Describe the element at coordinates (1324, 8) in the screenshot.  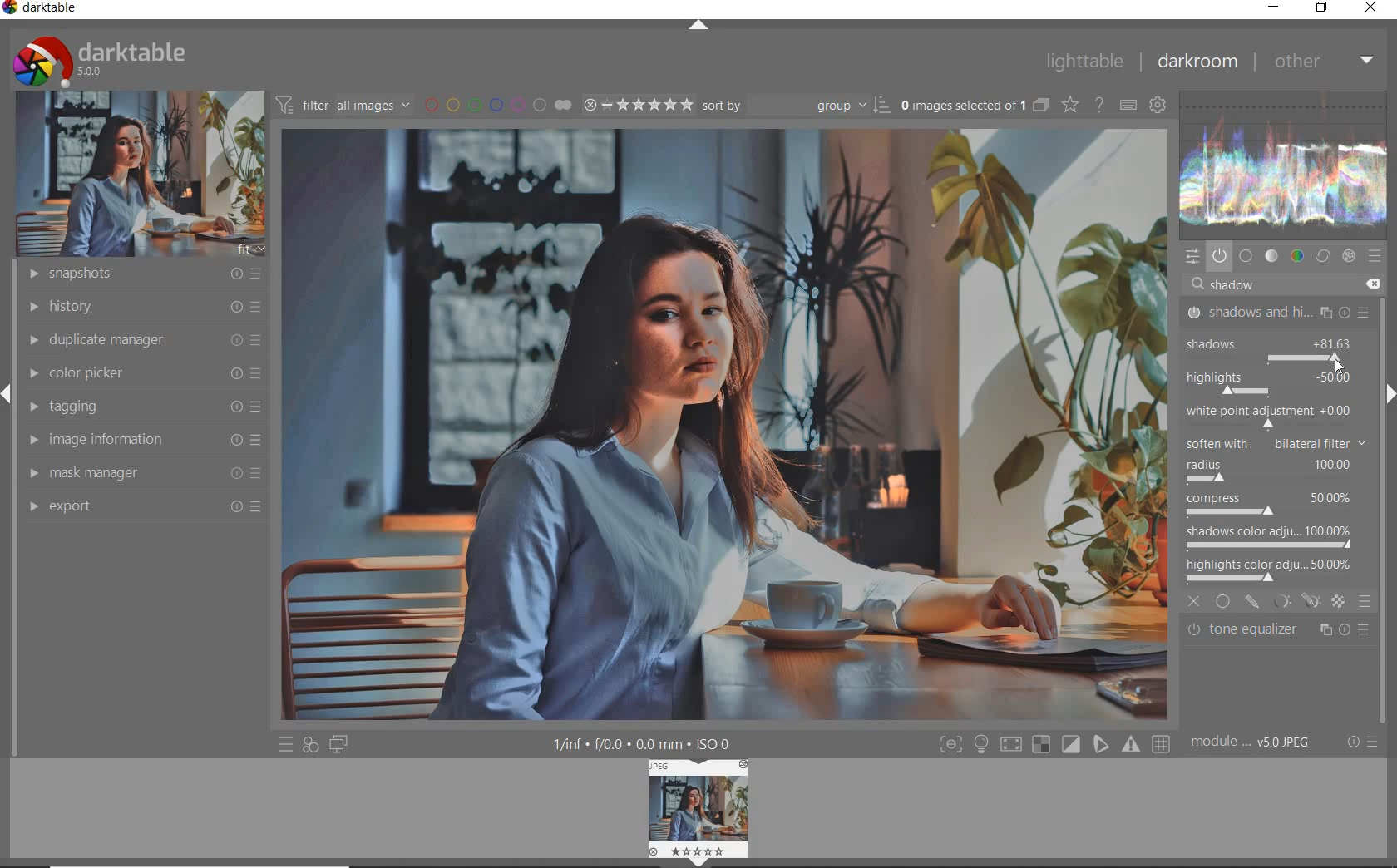
I see `restore` at that location.